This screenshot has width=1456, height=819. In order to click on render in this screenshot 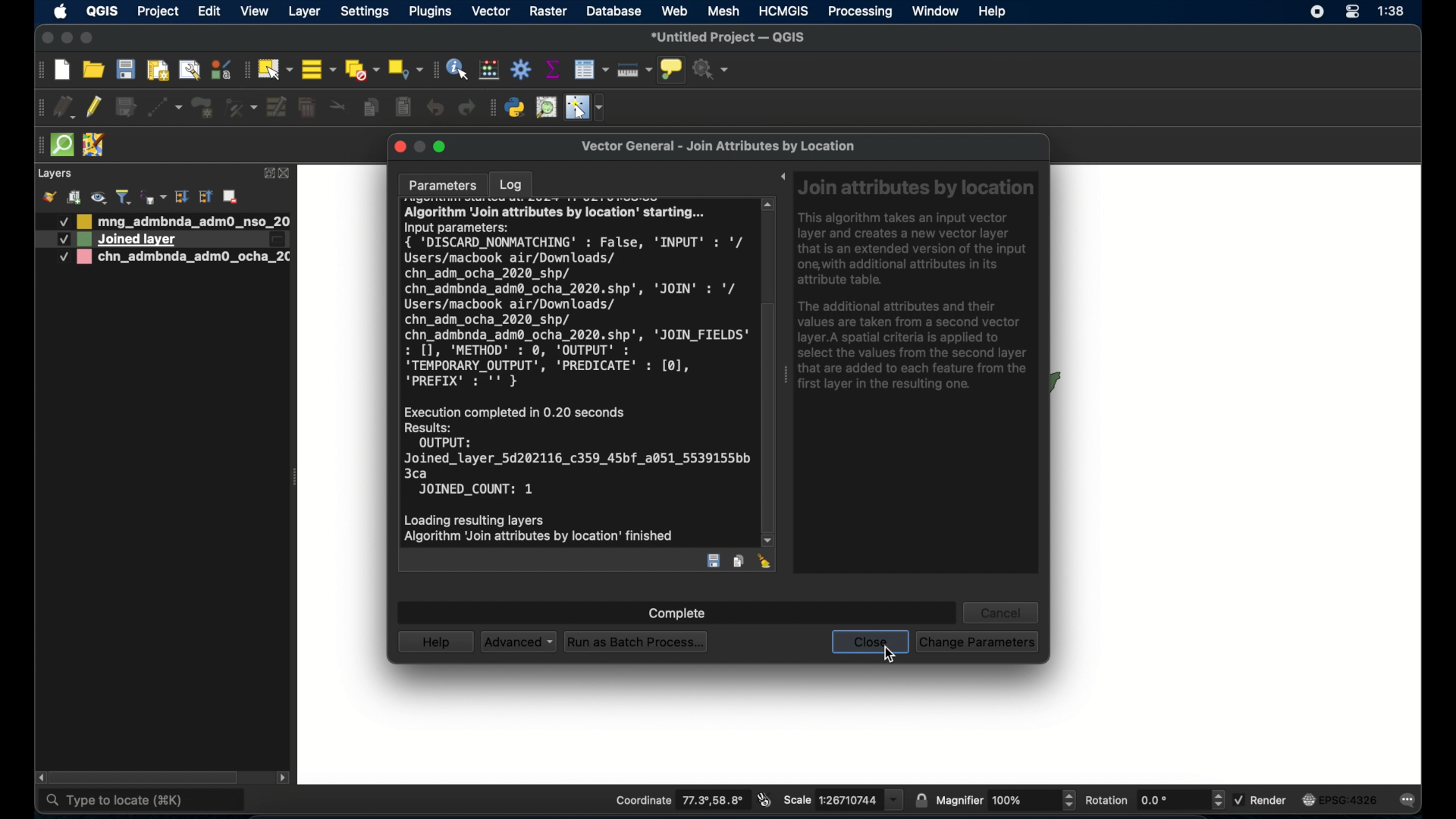, I will do `click(1260, 799)`.